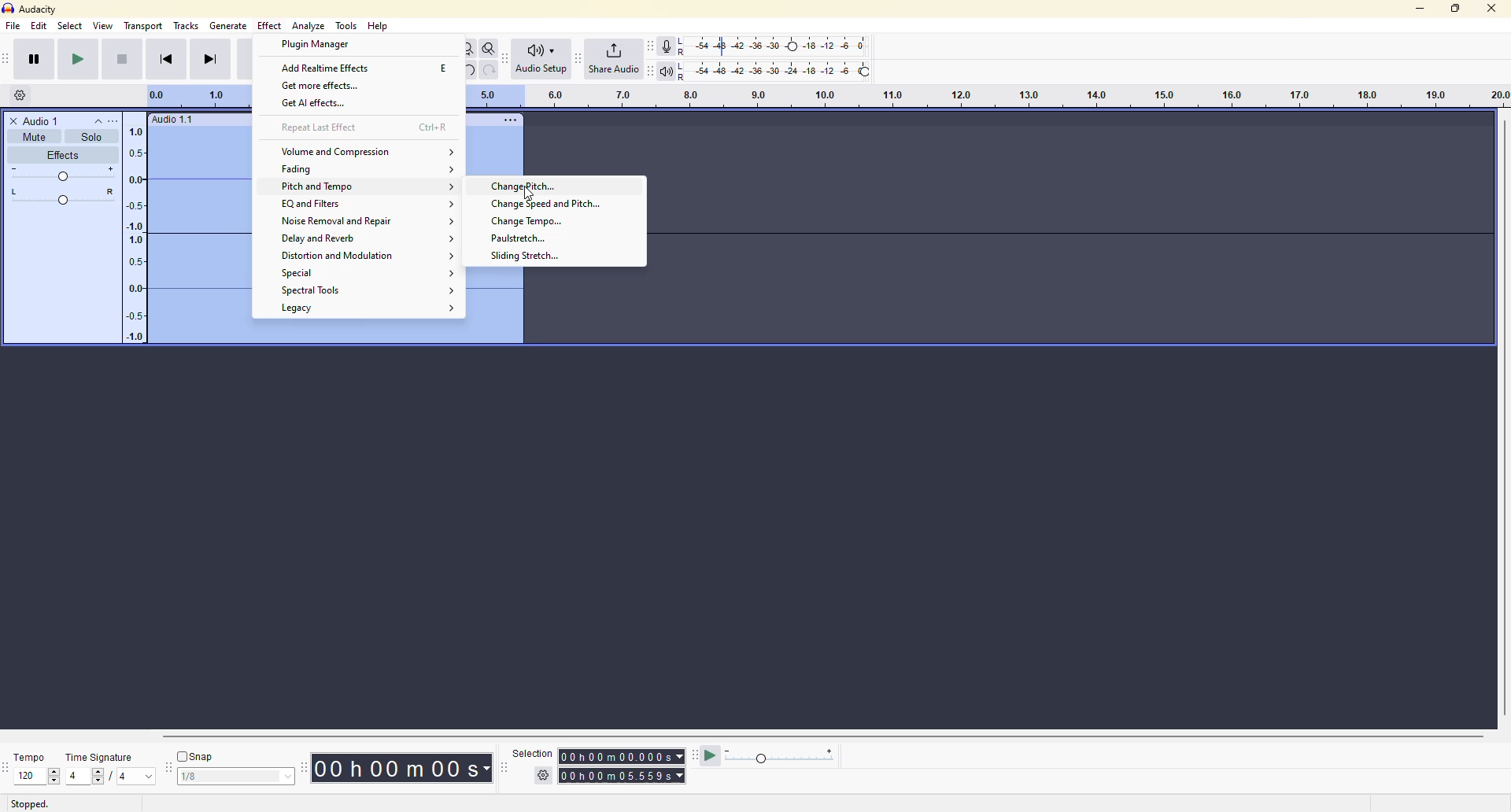 The width and height of the screenshot is (1511, 812). I want to click on record meter, so click(668, 46).